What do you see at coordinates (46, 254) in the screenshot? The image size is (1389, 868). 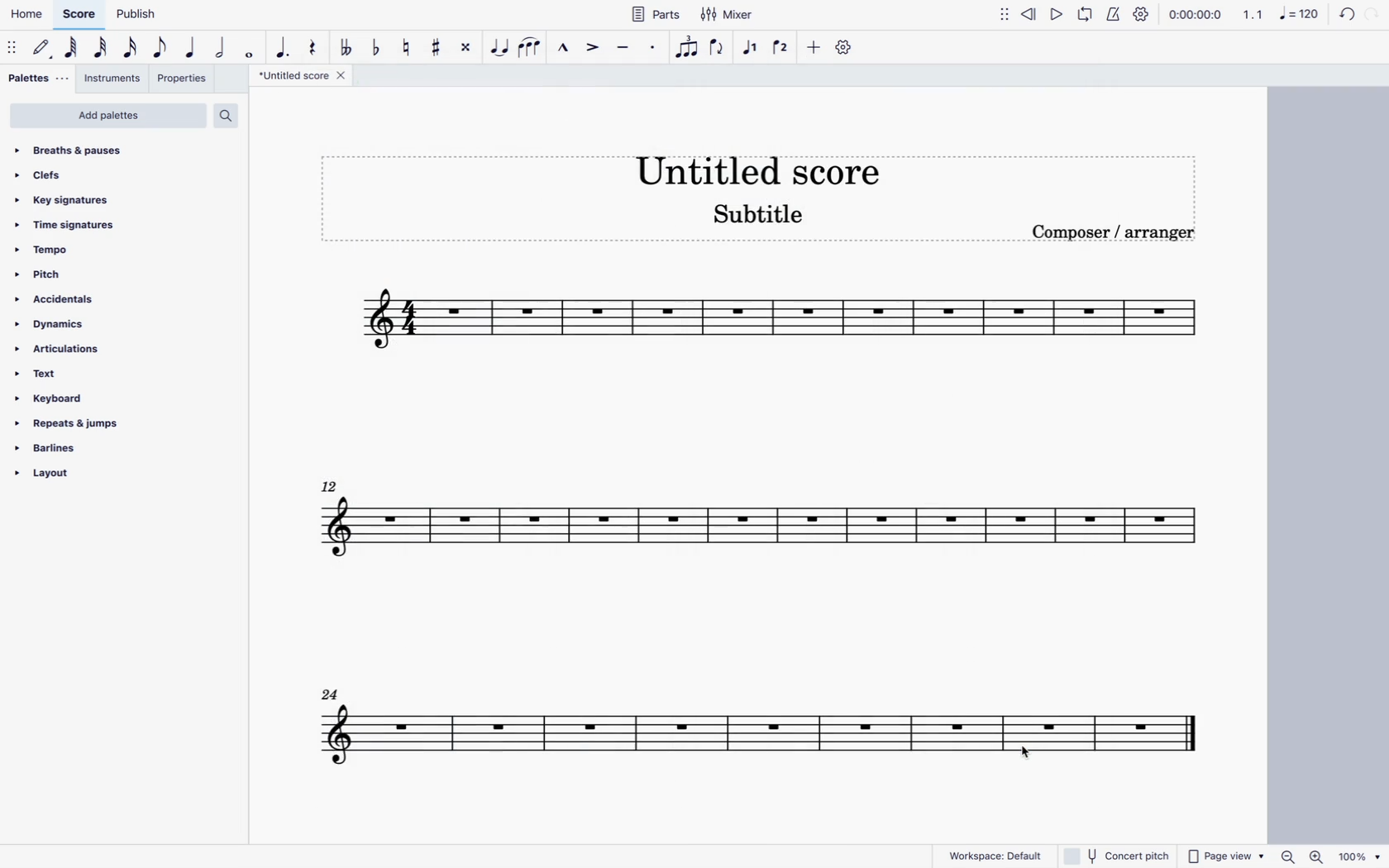 I see `tempo` at bounding box center [46, 254].